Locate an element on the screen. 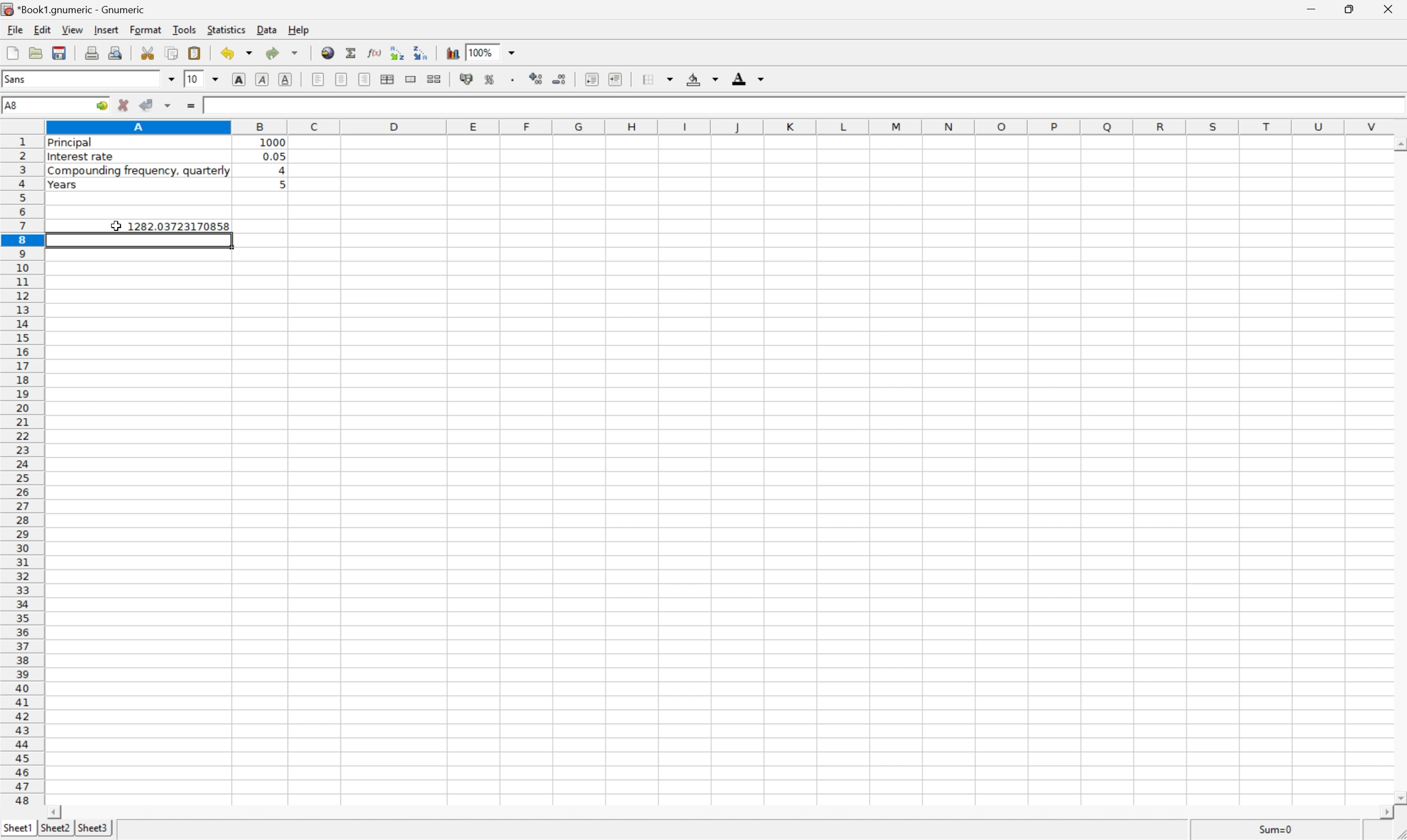 The width and height of the screenshot is (1407, 840). open is located at coordinates (35, 52).